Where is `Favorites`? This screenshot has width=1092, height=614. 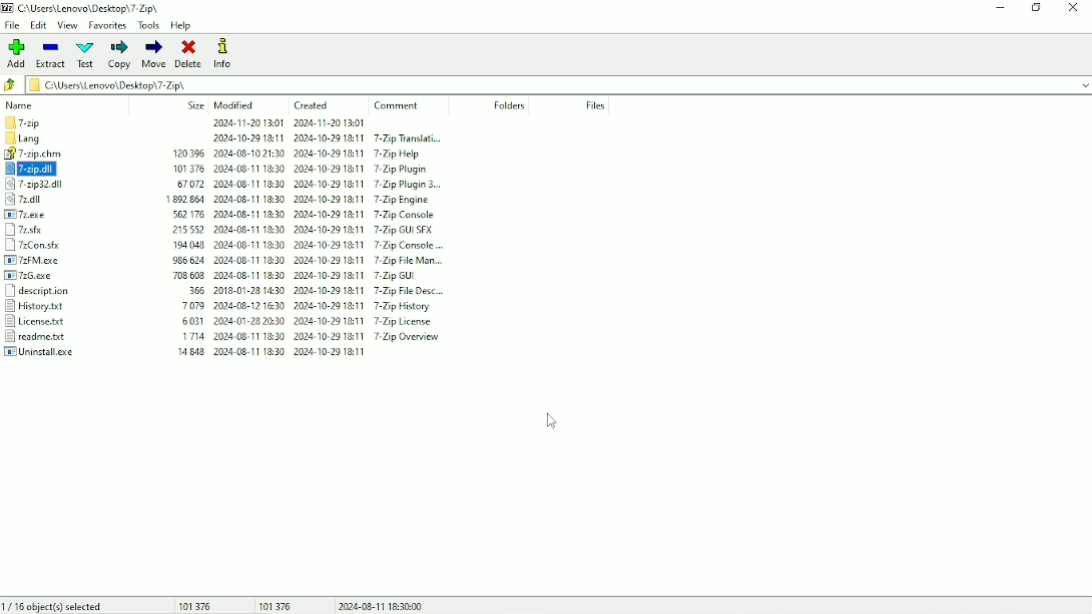
Favorites is located at coordinates (107, 25).